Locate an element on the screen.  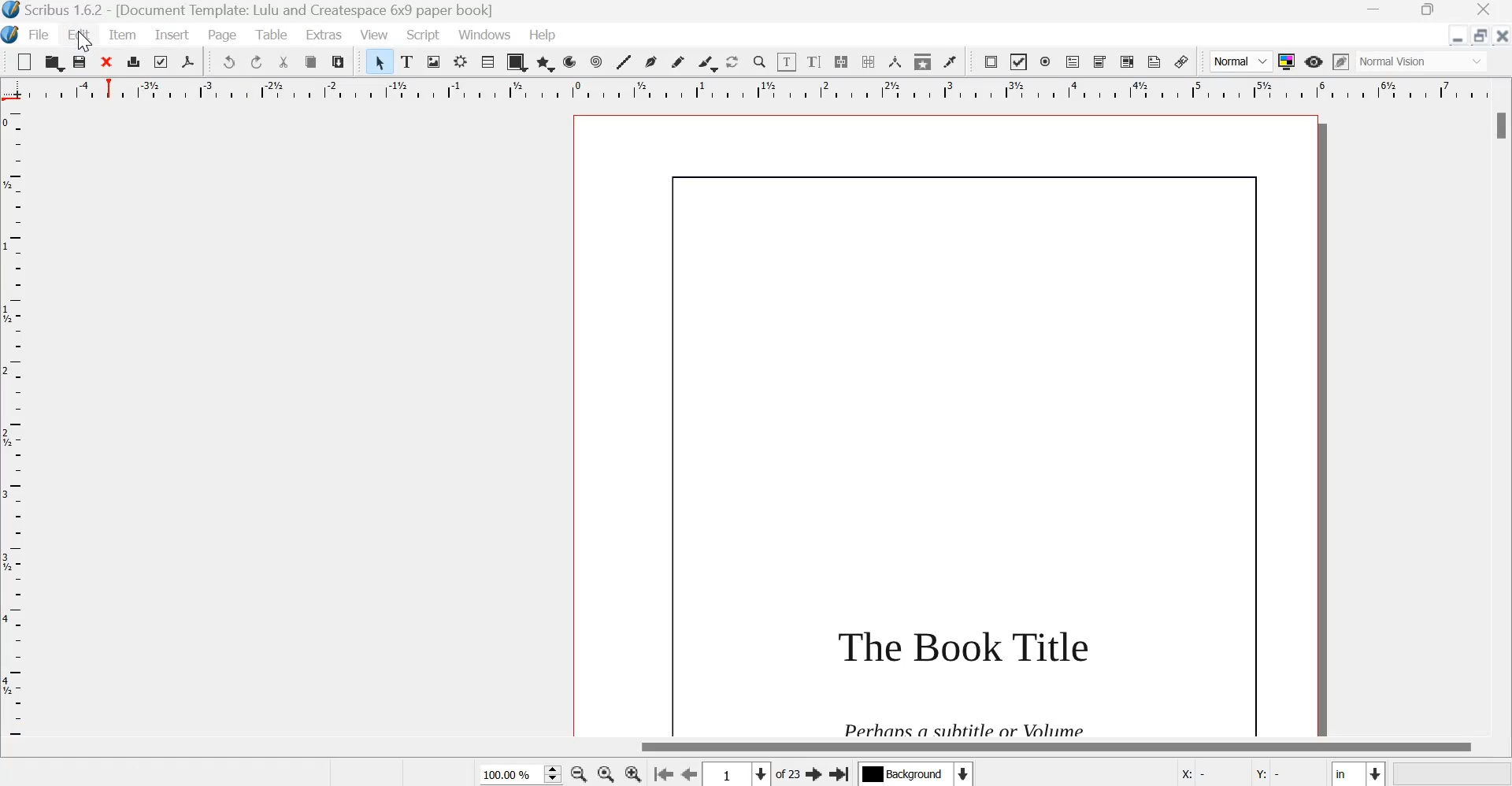
Table is located at coordinates (271, 35).